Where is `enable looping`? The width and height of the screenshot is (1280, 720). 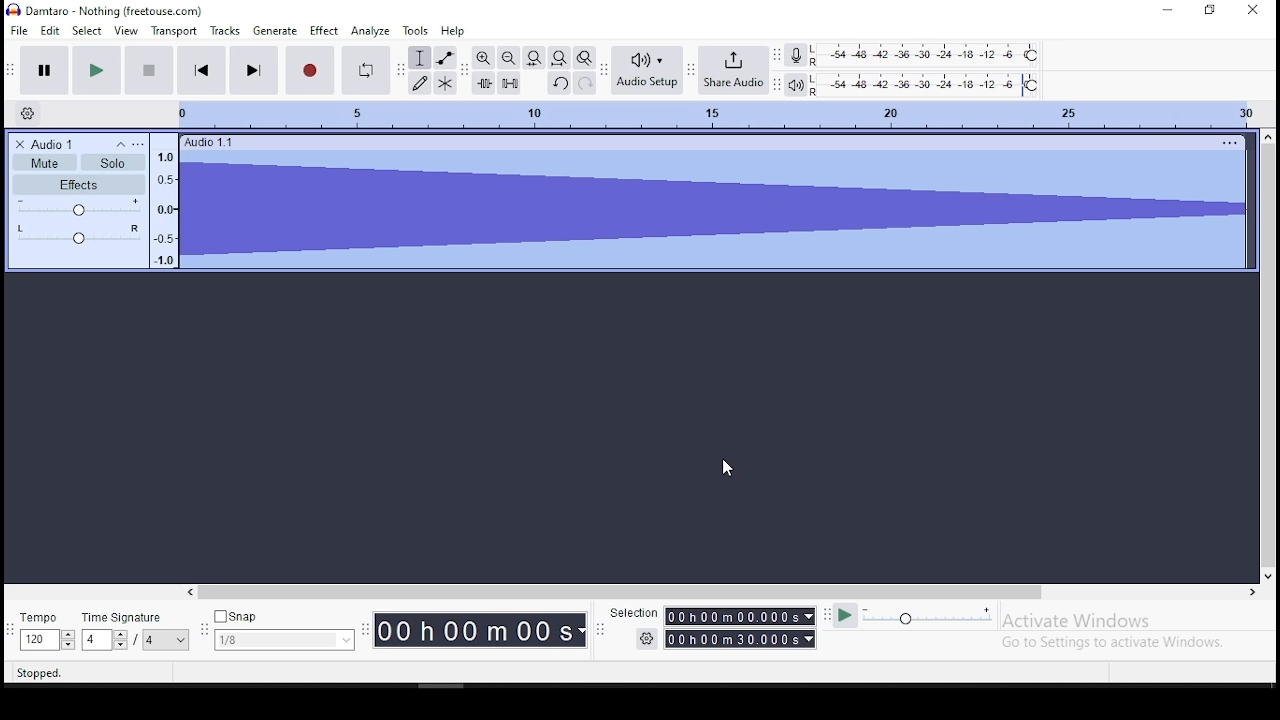
enable looping is located at coordinates (365, 70).